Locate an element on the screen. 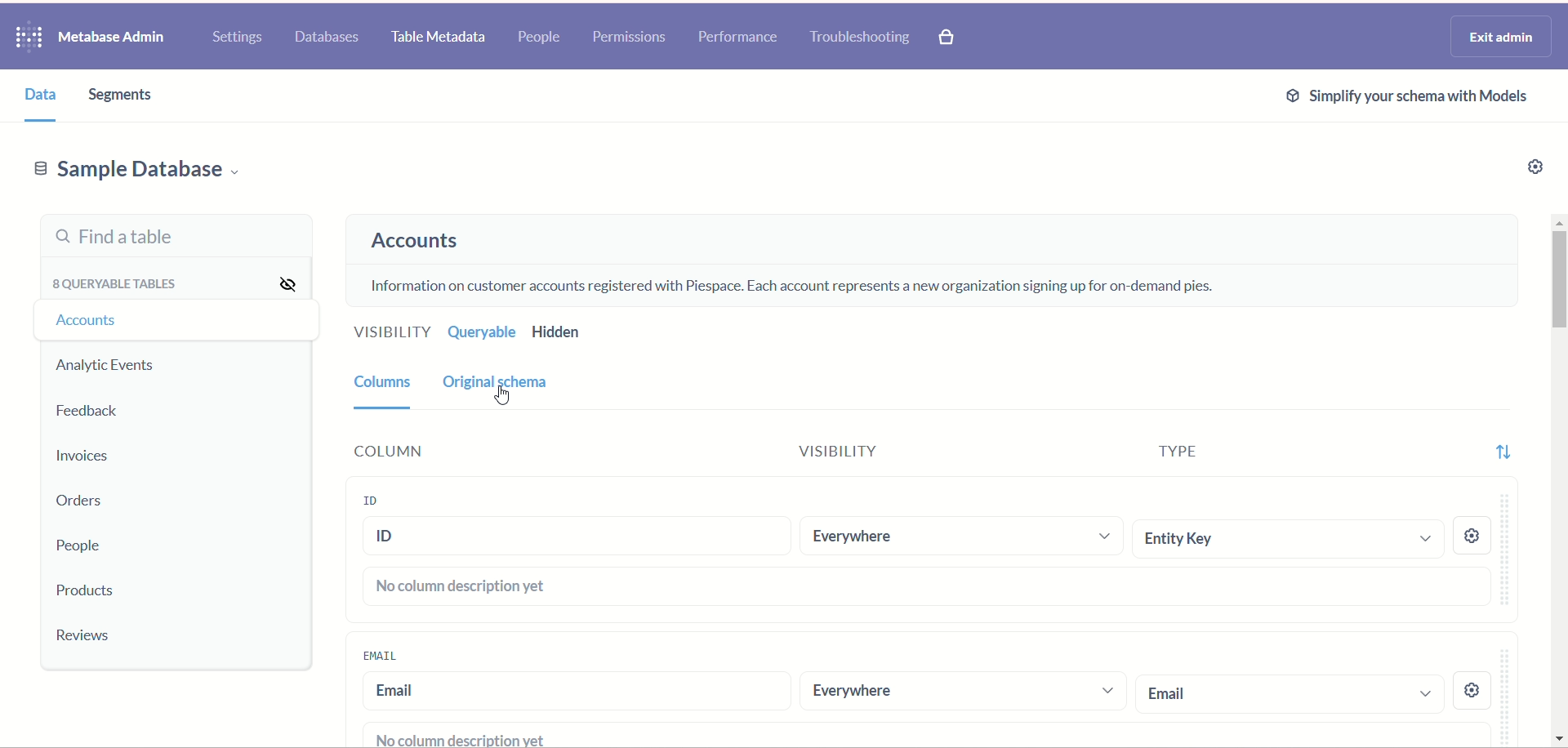 Image resolution: width=1568 pixels, height=748 pixels. table metadata is located at coordinates (439, 39).